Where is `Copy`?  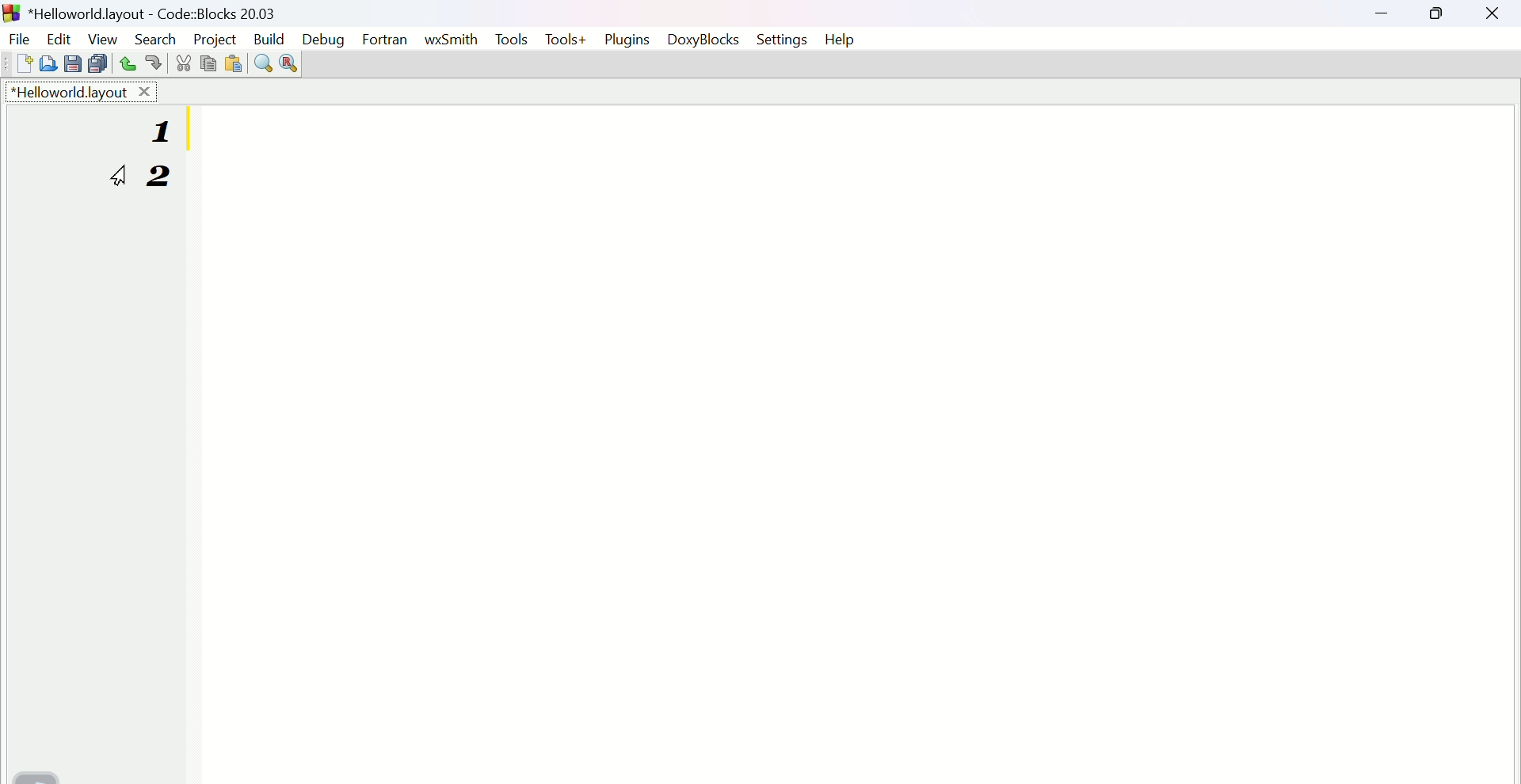 Copy is located at coordinates (208, 62).